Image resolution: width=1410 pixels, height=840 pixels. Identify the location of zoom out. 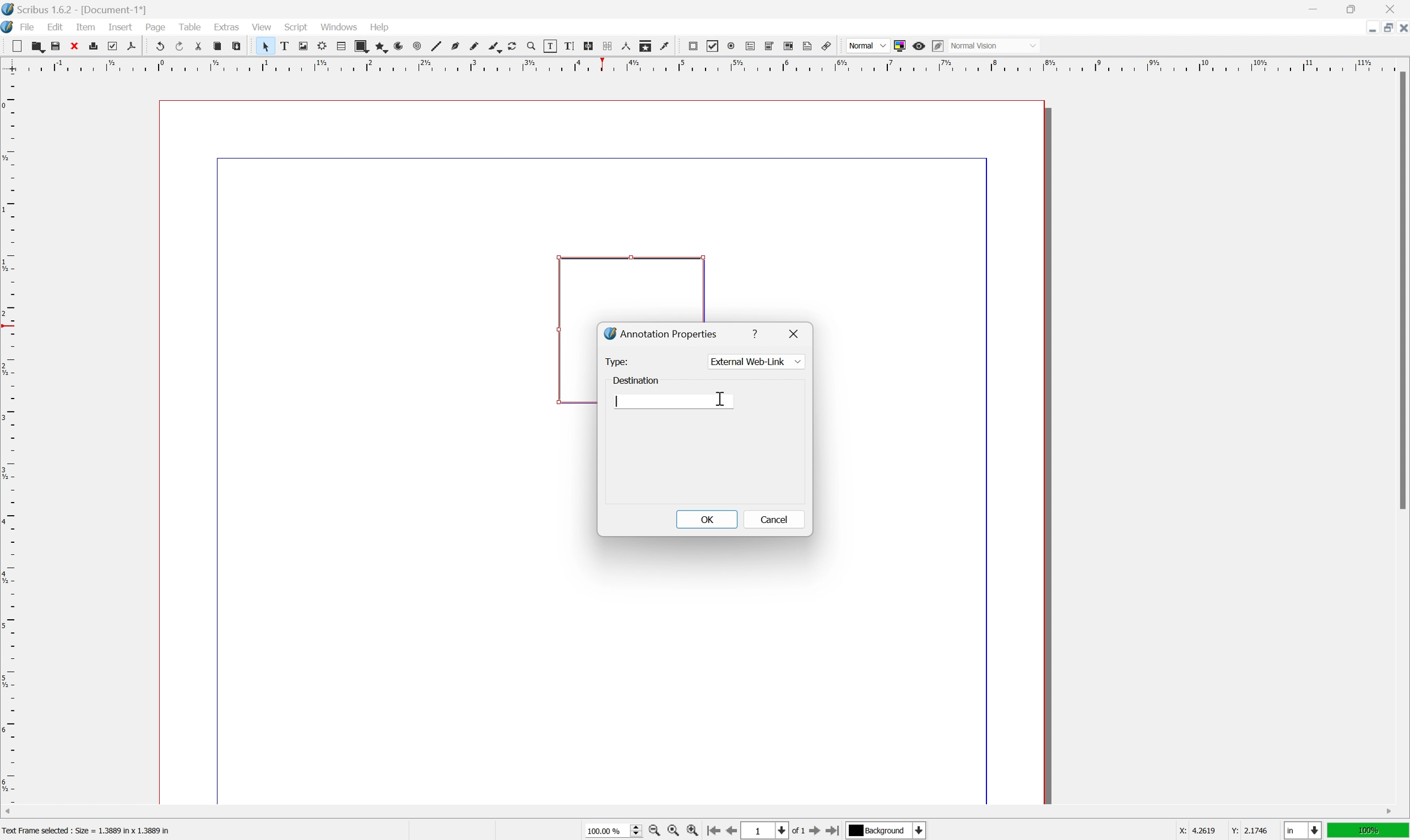
(653, 831).